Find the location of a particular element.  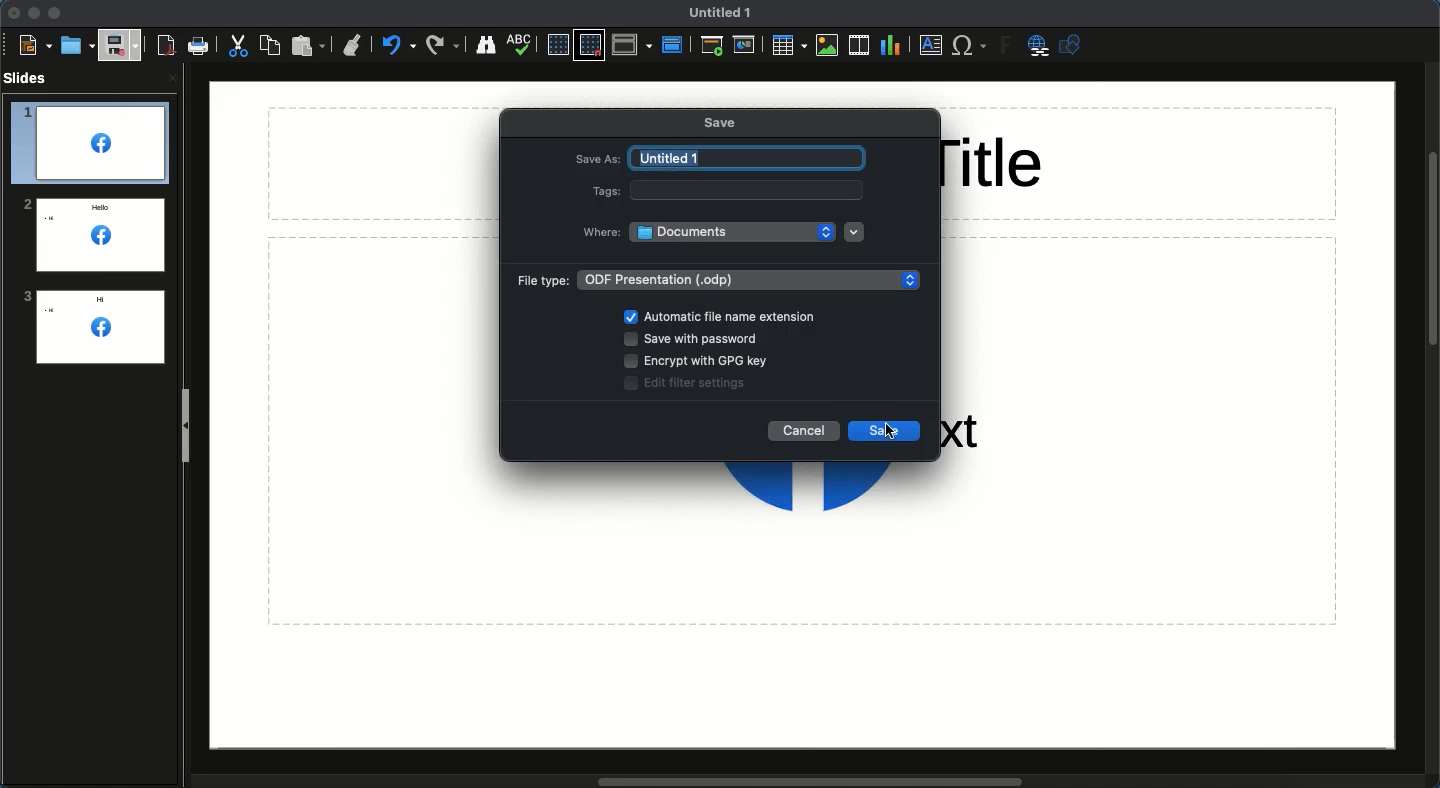

Cancel is located at coordinates (804, 432).